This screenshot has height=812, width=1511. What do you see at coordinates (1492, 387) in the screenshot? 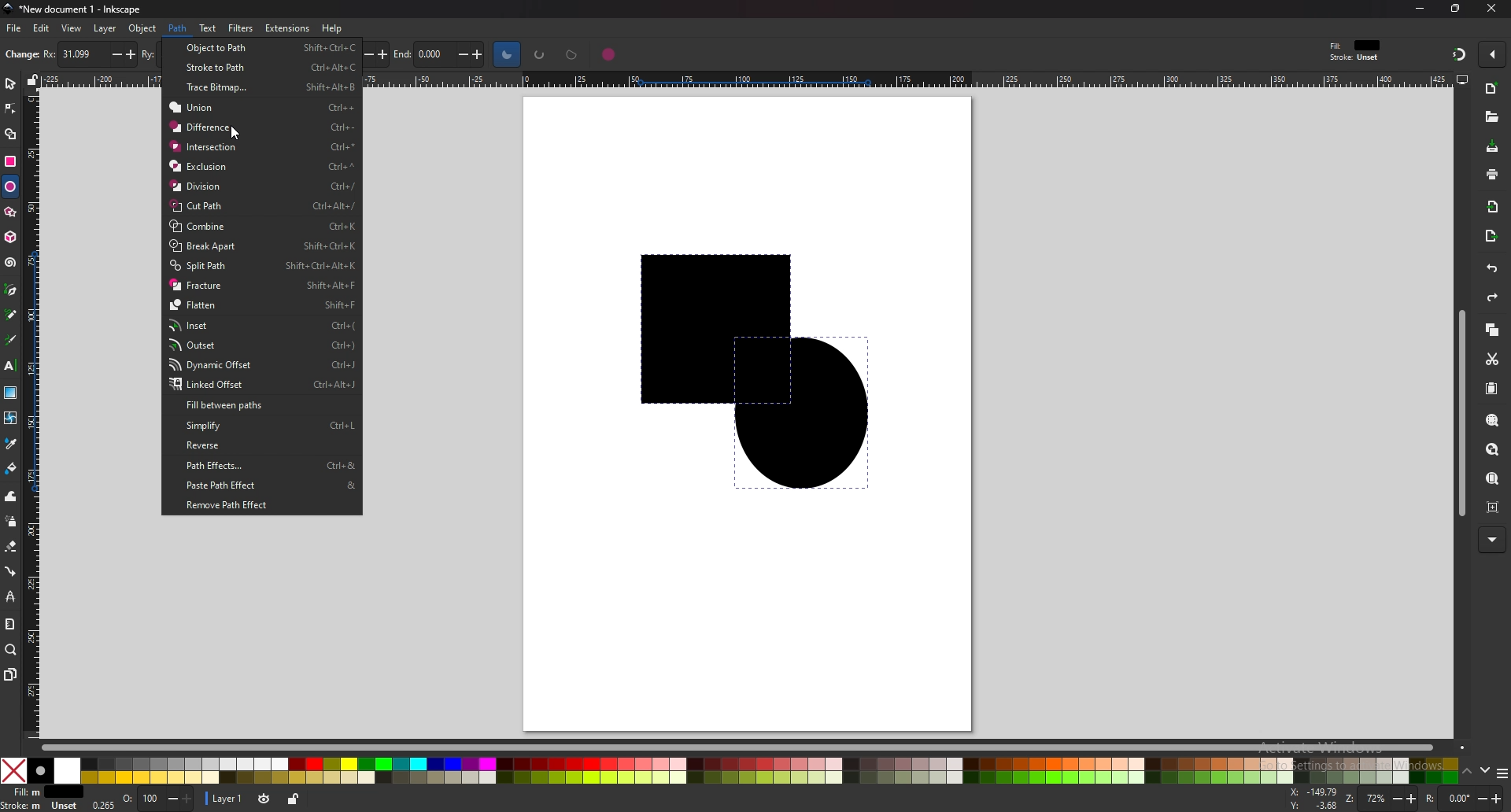
I see `paste` at bounding box center [1492, 387].